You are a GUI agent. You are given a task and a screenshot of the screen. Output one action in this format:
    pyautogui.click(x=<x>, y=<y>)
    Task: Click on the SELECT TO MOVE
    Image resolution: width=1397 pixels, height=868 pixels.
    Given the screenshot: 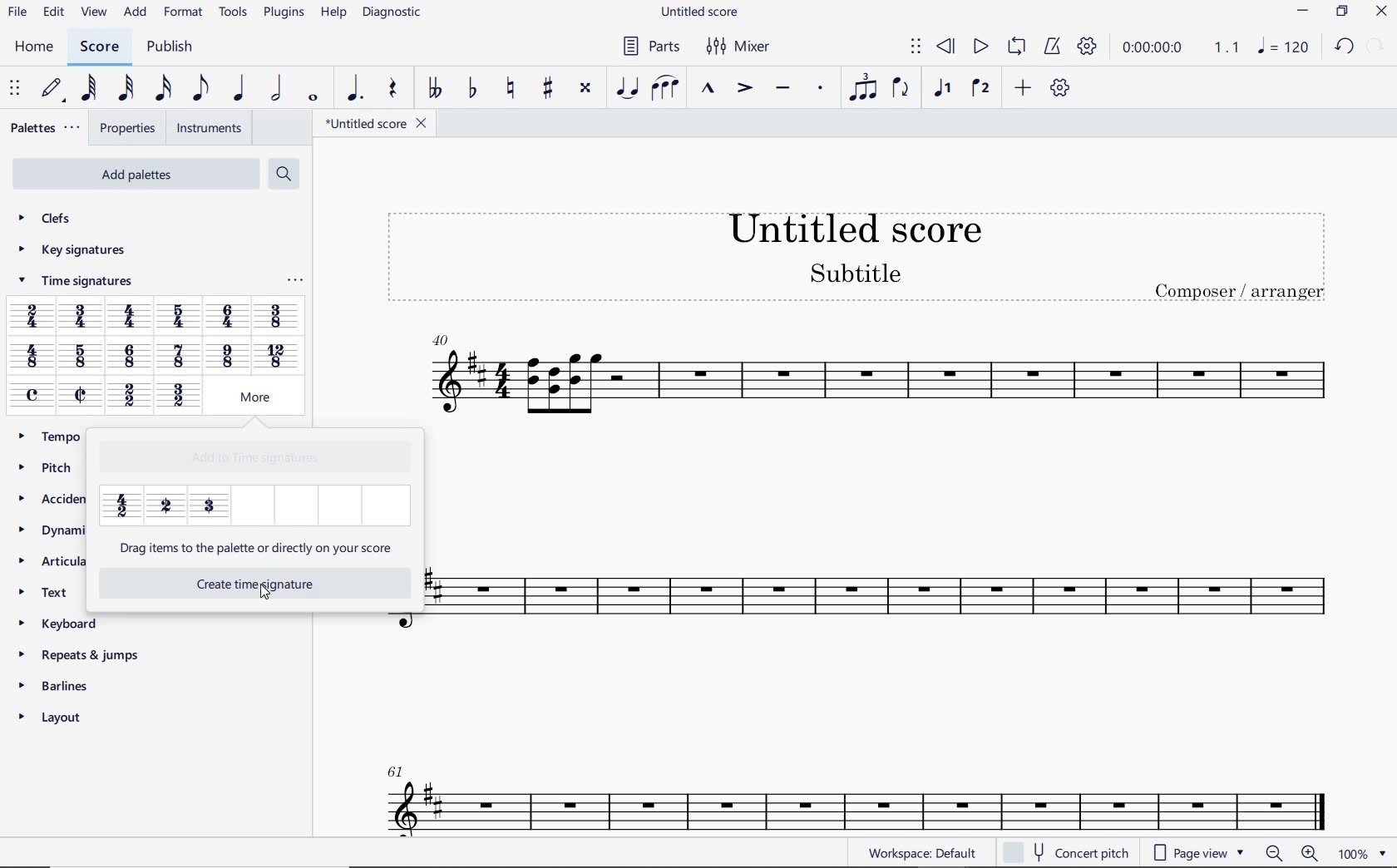 What is the action you would take?
    pyautogui.click(x=916, y=47)
    